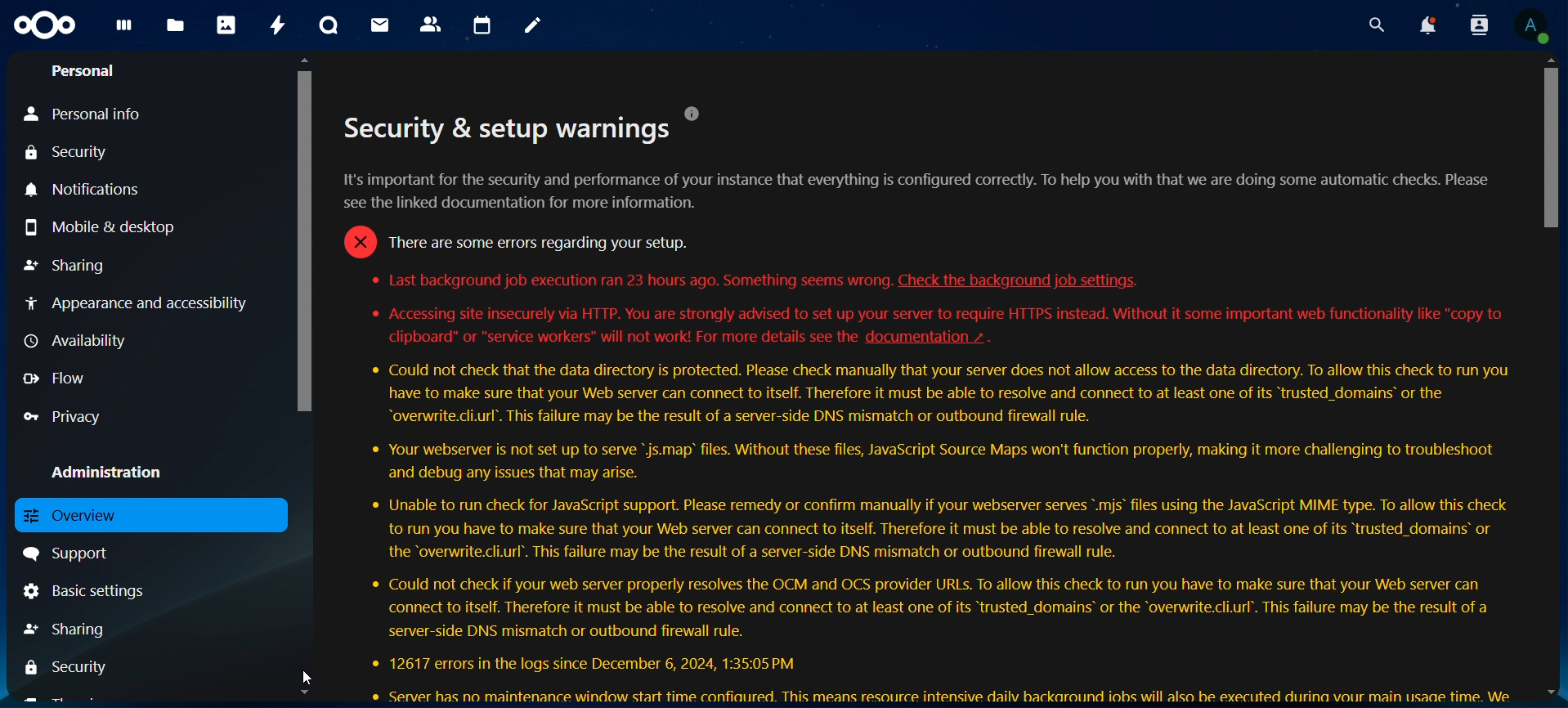  I want to click on appearance and accessibility, so click(146, 305).